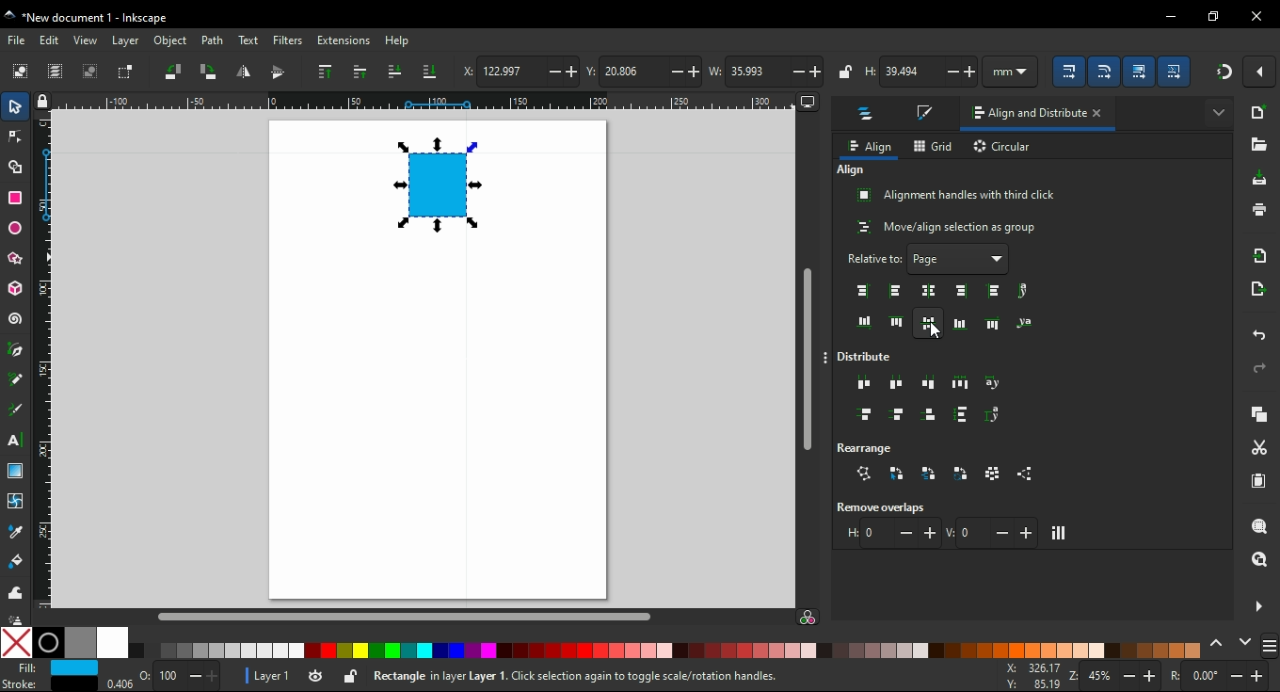  I want to click on select all, so click(20, 72).